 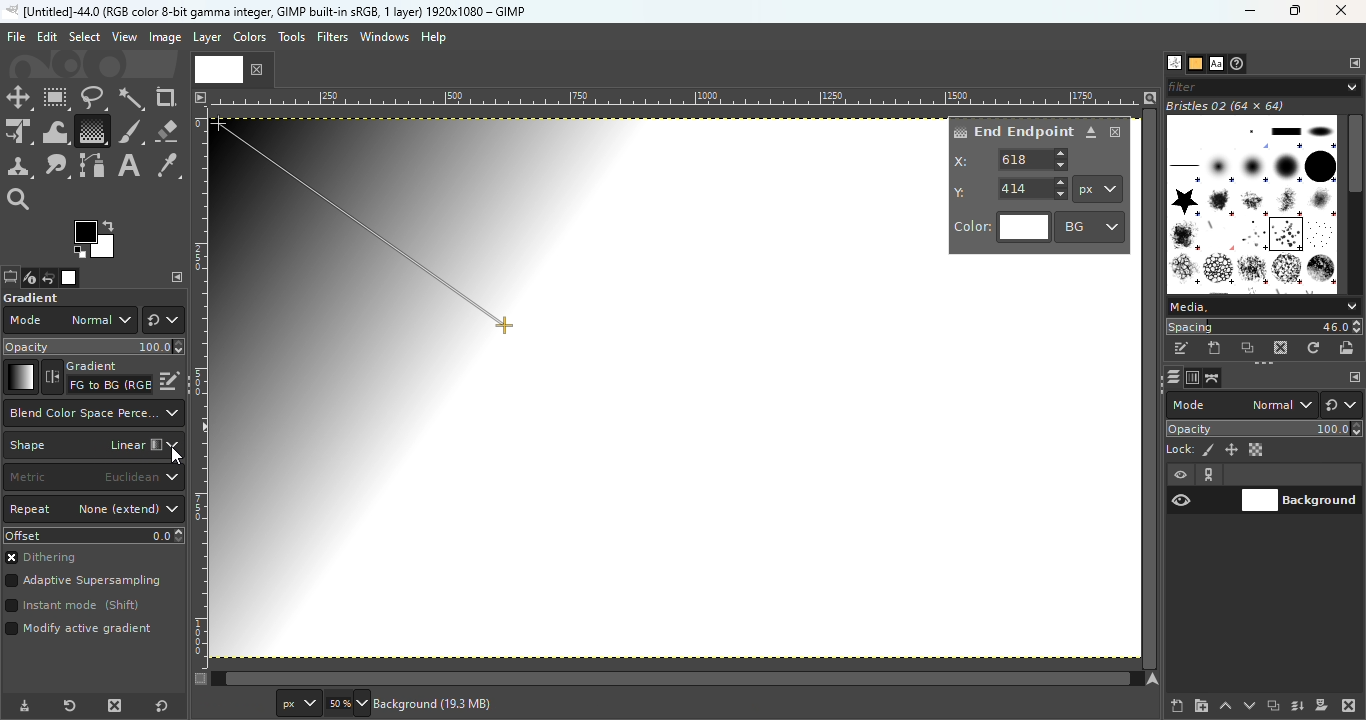 What do you see at coordinates (1264, 327) in the screenshot?
I see `Spacing` at bounding box center [1264, 327].